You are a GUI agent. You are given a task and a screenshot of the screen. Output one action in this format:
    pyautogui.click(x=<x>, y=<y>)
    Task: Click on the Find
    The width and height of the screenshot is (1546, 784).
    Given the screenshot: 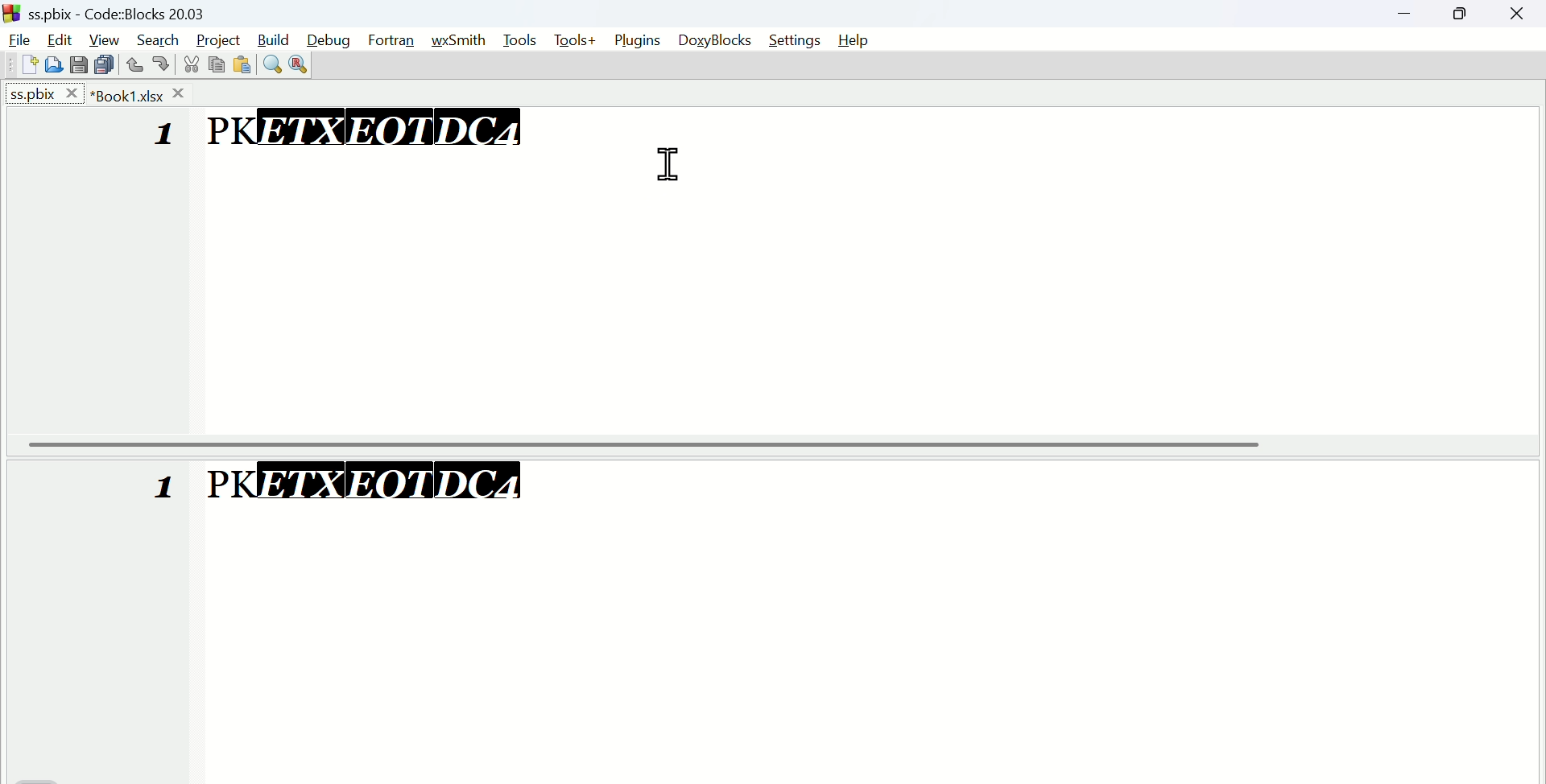 What is the action you would take?
    pyautogui.click(x=271, y=62)
    